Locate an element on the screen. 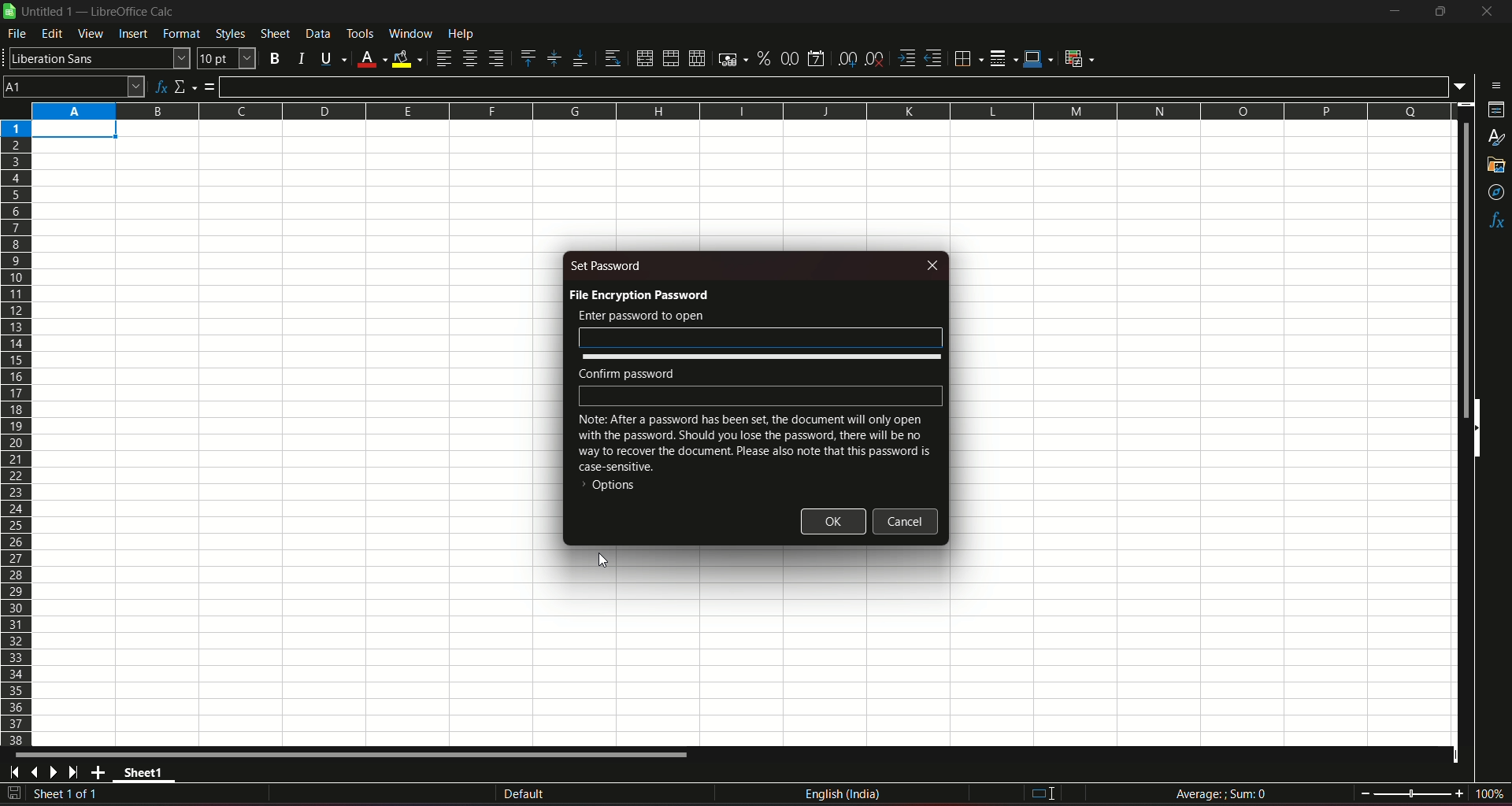  Note: After a password has been set, the document will only open
with the password. Should you lose the password, there will be no
way to recover the document. Please also note that this password is.
case-sensitive.

Options is located at coordinates (754, 457).